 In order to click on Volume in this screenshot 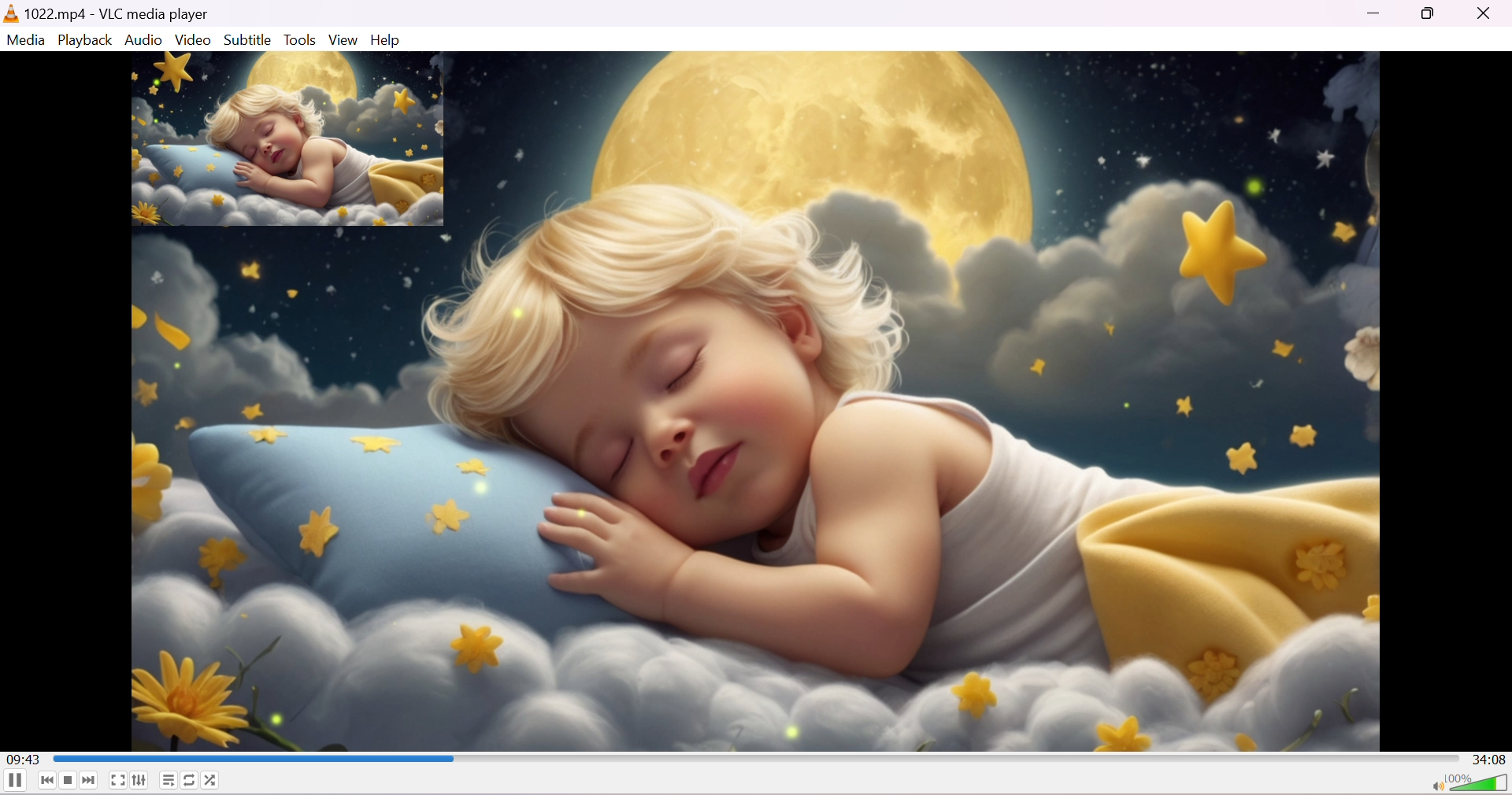, I will do `click(1480, 782)`.